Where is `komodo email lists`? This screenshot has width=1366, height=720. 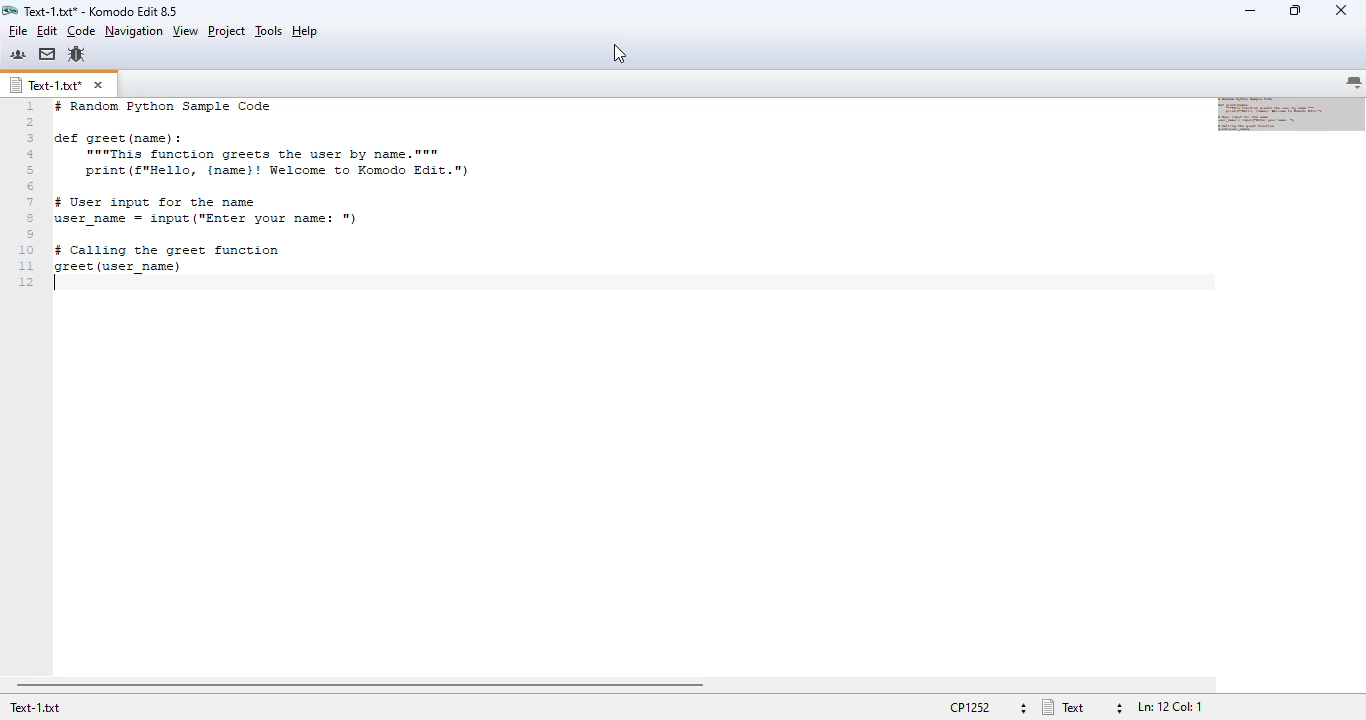 komodo email lists is located at coordinates (48, 55).